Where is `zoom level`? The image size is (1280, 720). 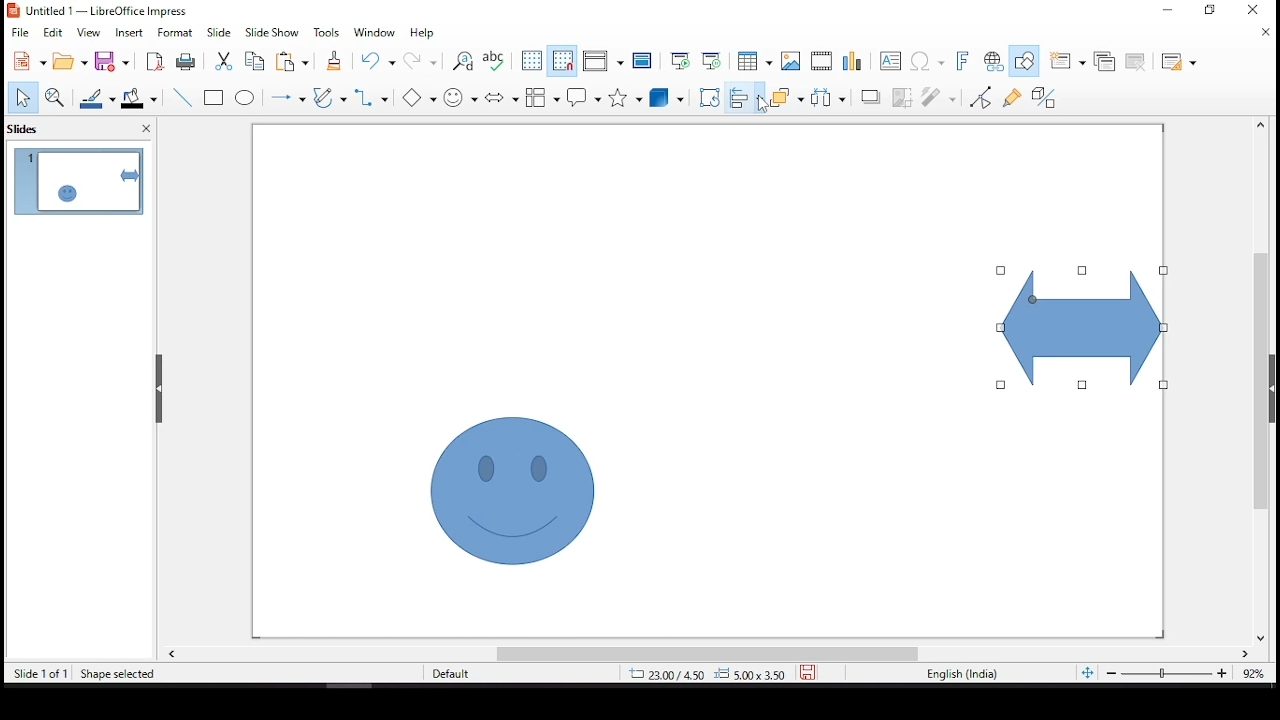
zoom level is located at coordinates (1255, 678).